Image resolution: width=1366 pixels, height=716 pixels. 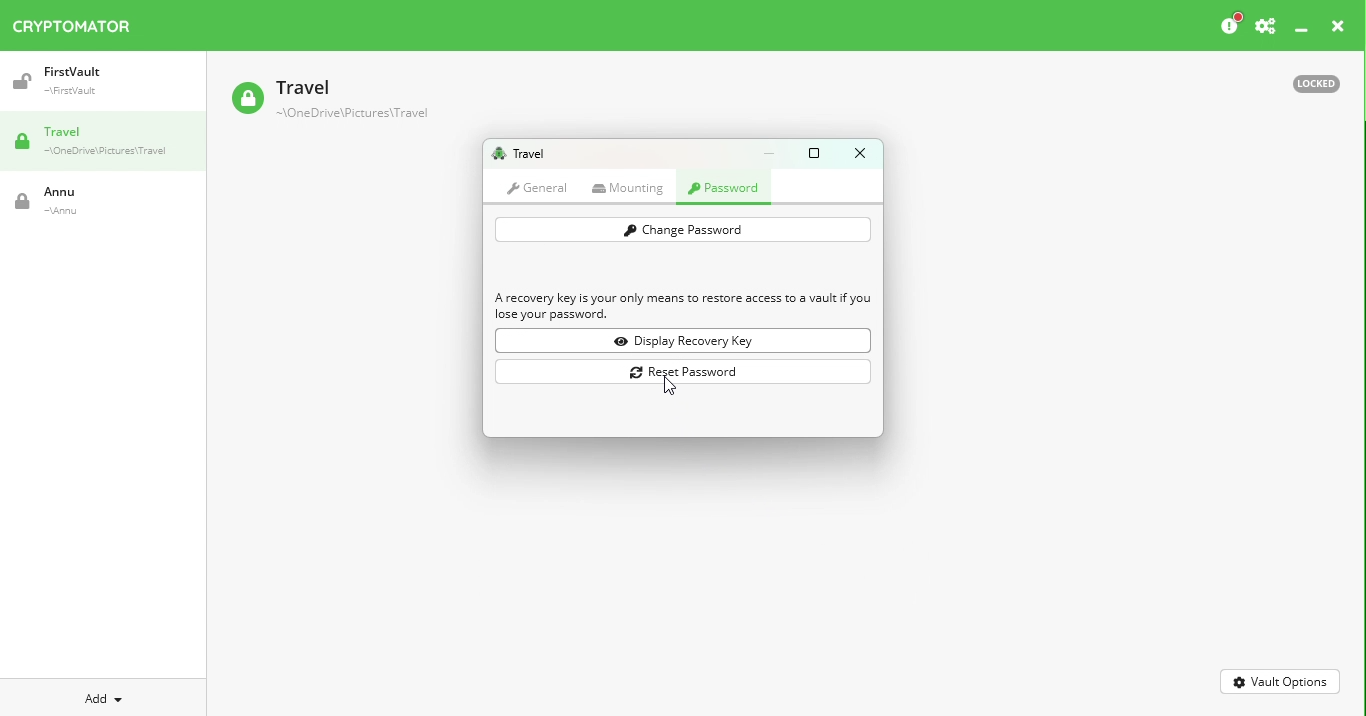 I want to click on Travel, so click(x=518, y=154).